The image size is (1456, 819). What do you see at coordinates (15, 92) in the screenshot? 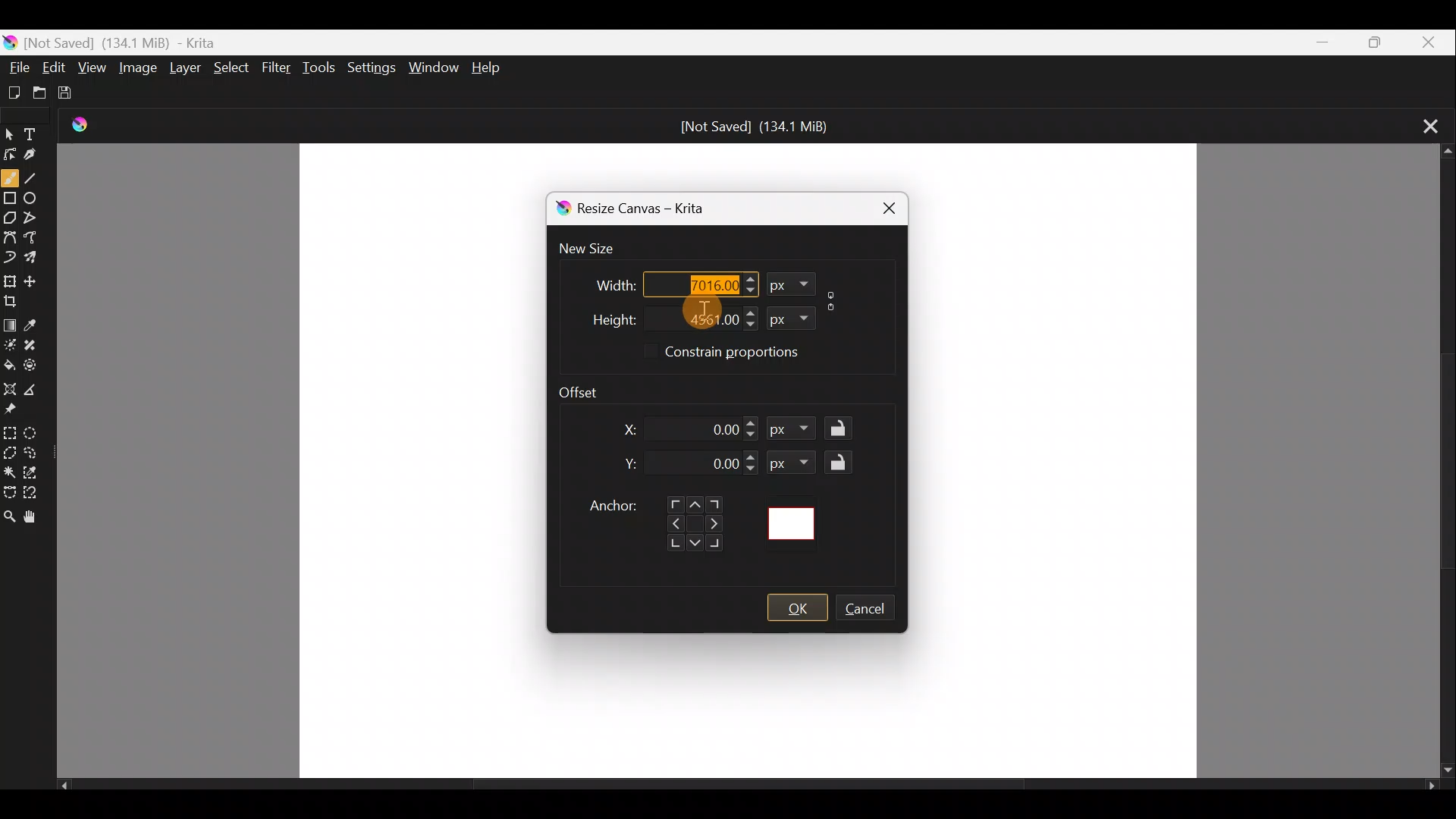
I see `Create a new document` at bounding box center [15, 92].